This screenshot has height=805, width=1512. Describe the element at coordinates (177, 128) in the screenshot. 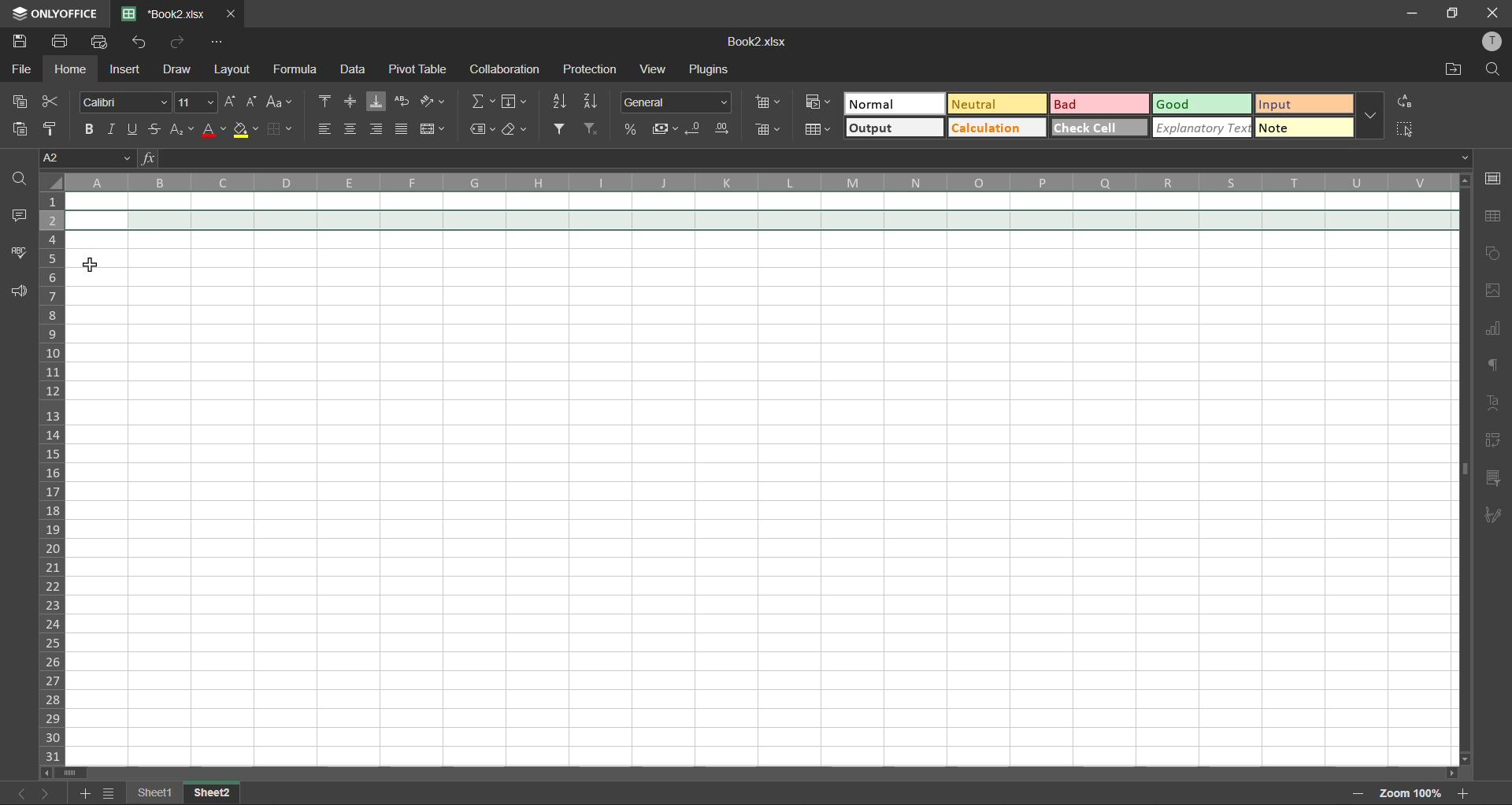

I see `sub/superscript` at that location.